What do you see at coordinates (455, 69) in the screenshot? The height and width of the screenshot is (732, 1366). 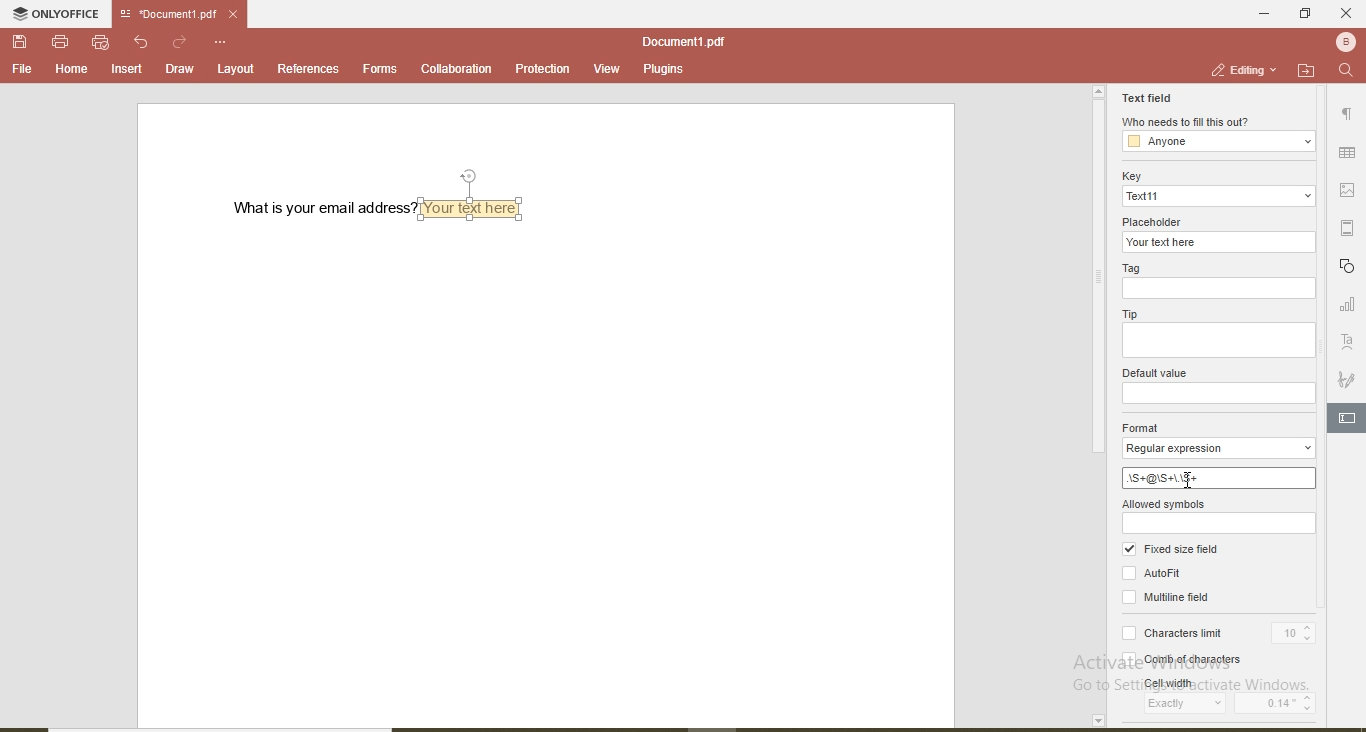 I see `collaboration` at bounding box center [455, 69].